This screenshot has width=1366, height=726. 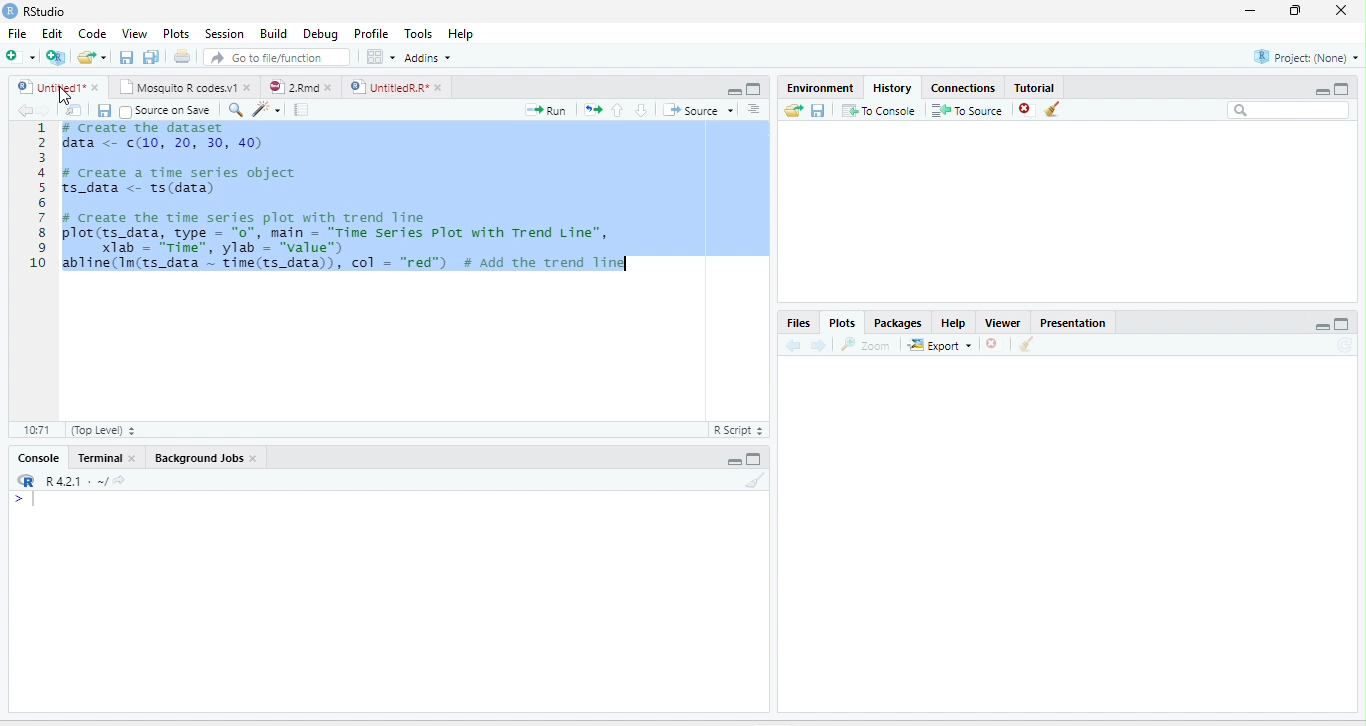 What do you see at coordinates (19, 56) in the screenshot?
I see `New file` at bounding box center [19, 56].